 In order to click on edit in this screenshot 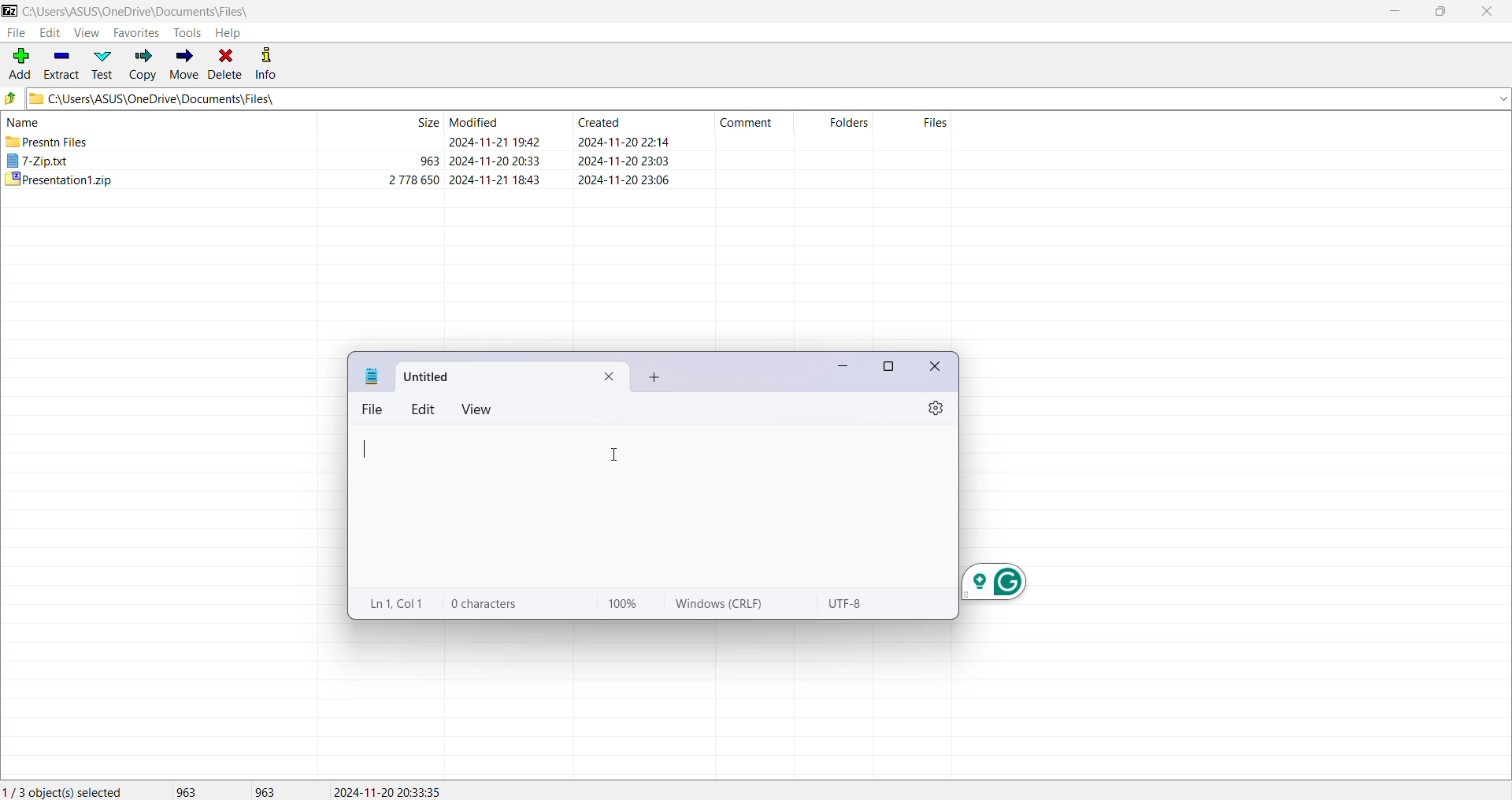, I will do `click(422, 409)`.